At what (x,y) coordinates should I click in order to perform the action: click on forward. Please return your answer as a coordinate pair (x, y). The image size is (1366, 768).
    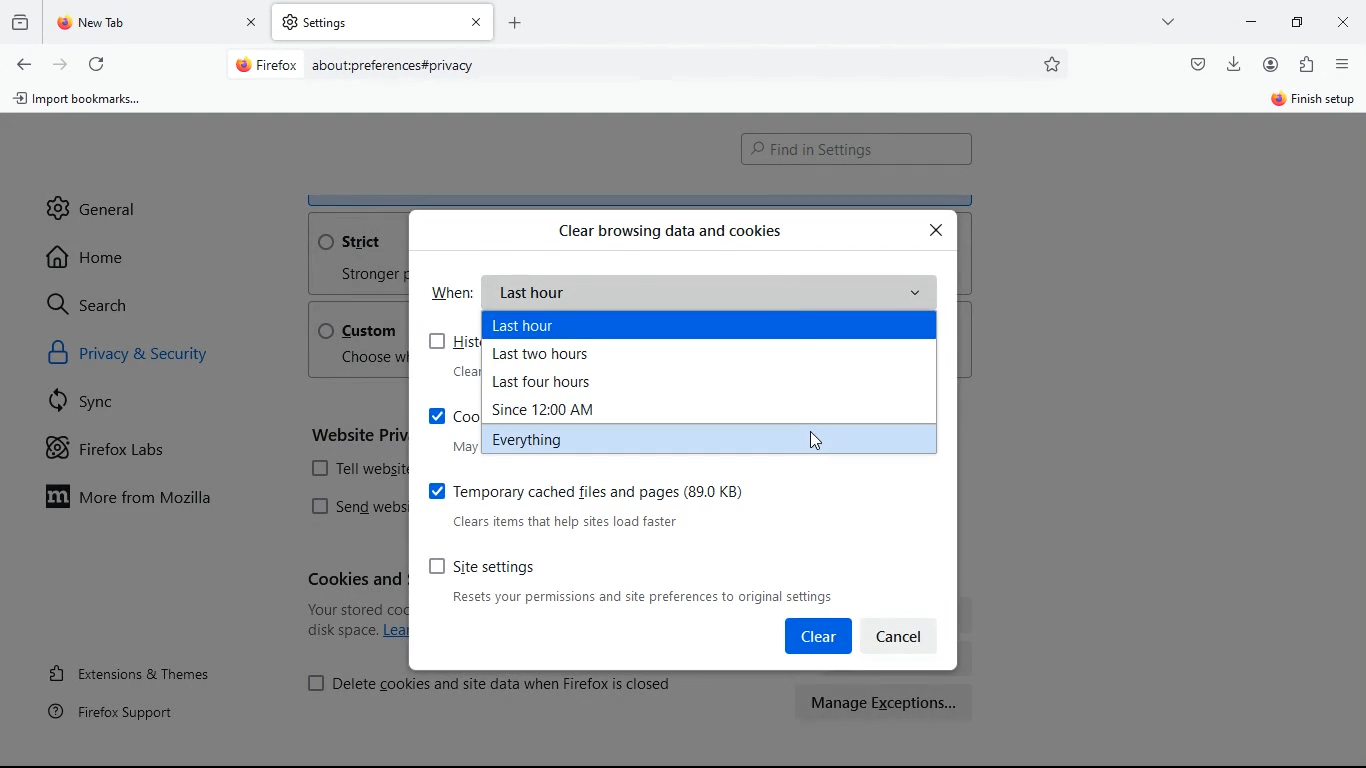
    Looking at the image, I should click on (60, 63).